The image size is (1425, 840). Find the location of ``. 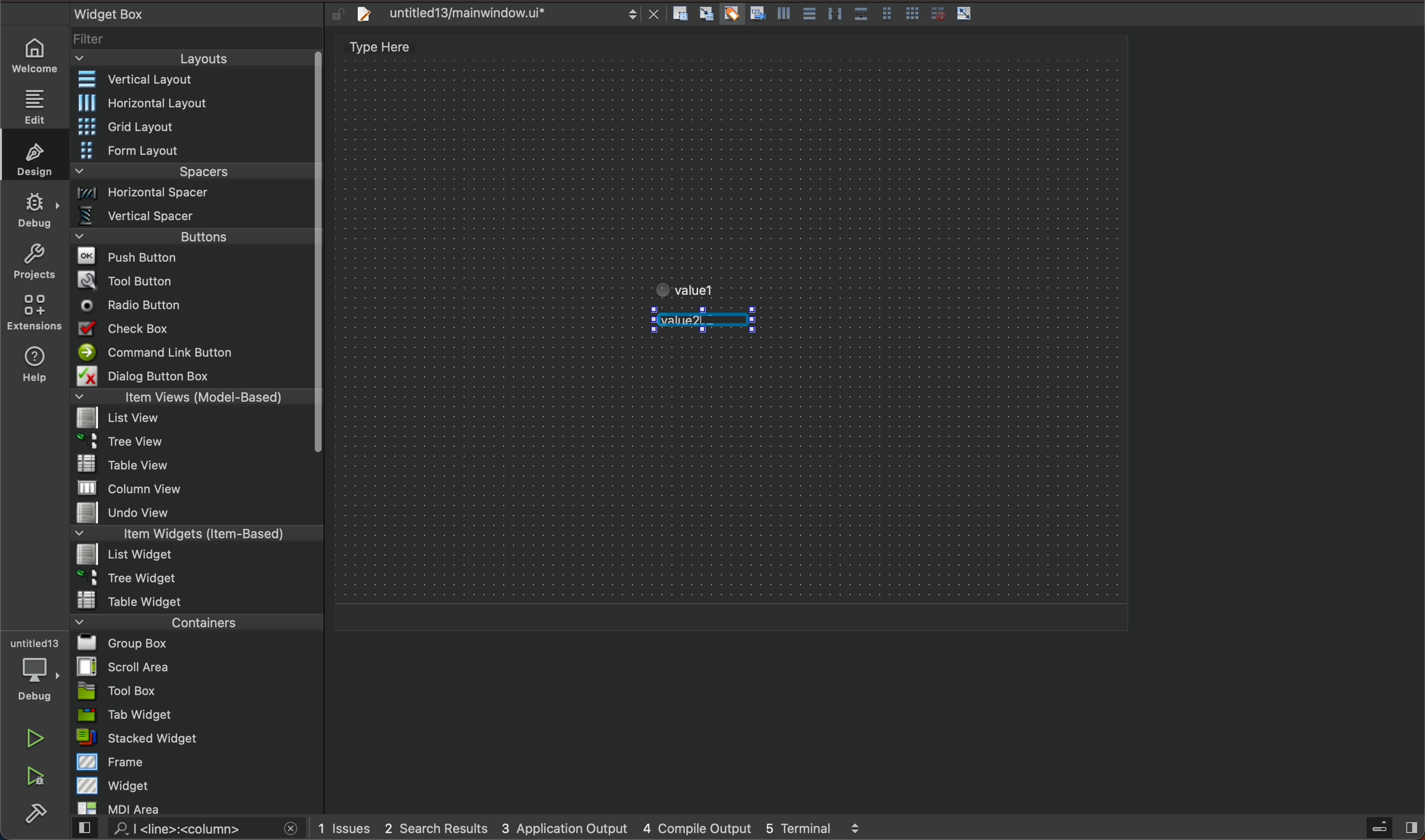

 is located at coordinates (756, 15).